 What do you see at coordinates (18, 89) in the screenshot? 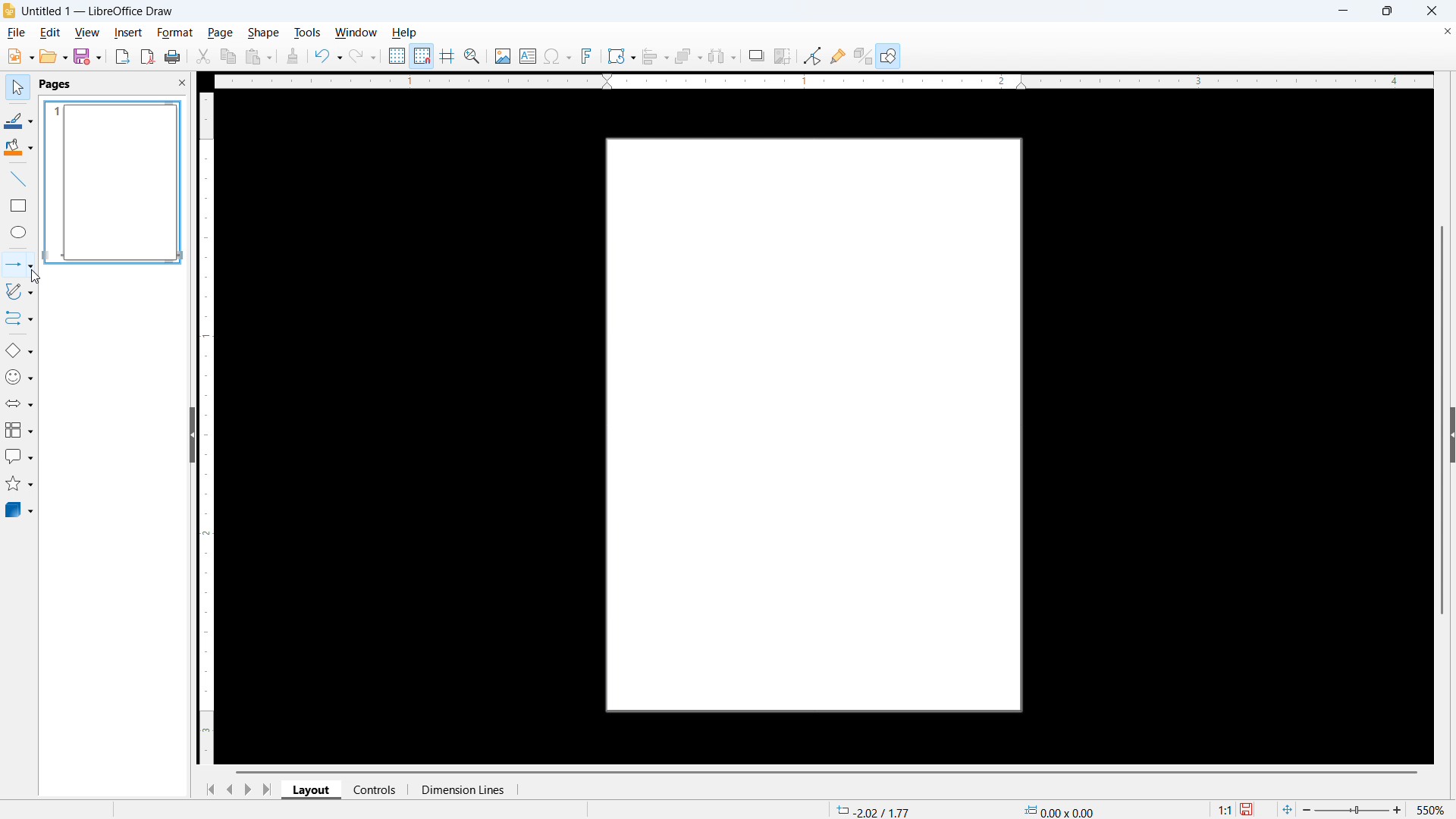
I see `Select ` at bounding box center [18, 89].